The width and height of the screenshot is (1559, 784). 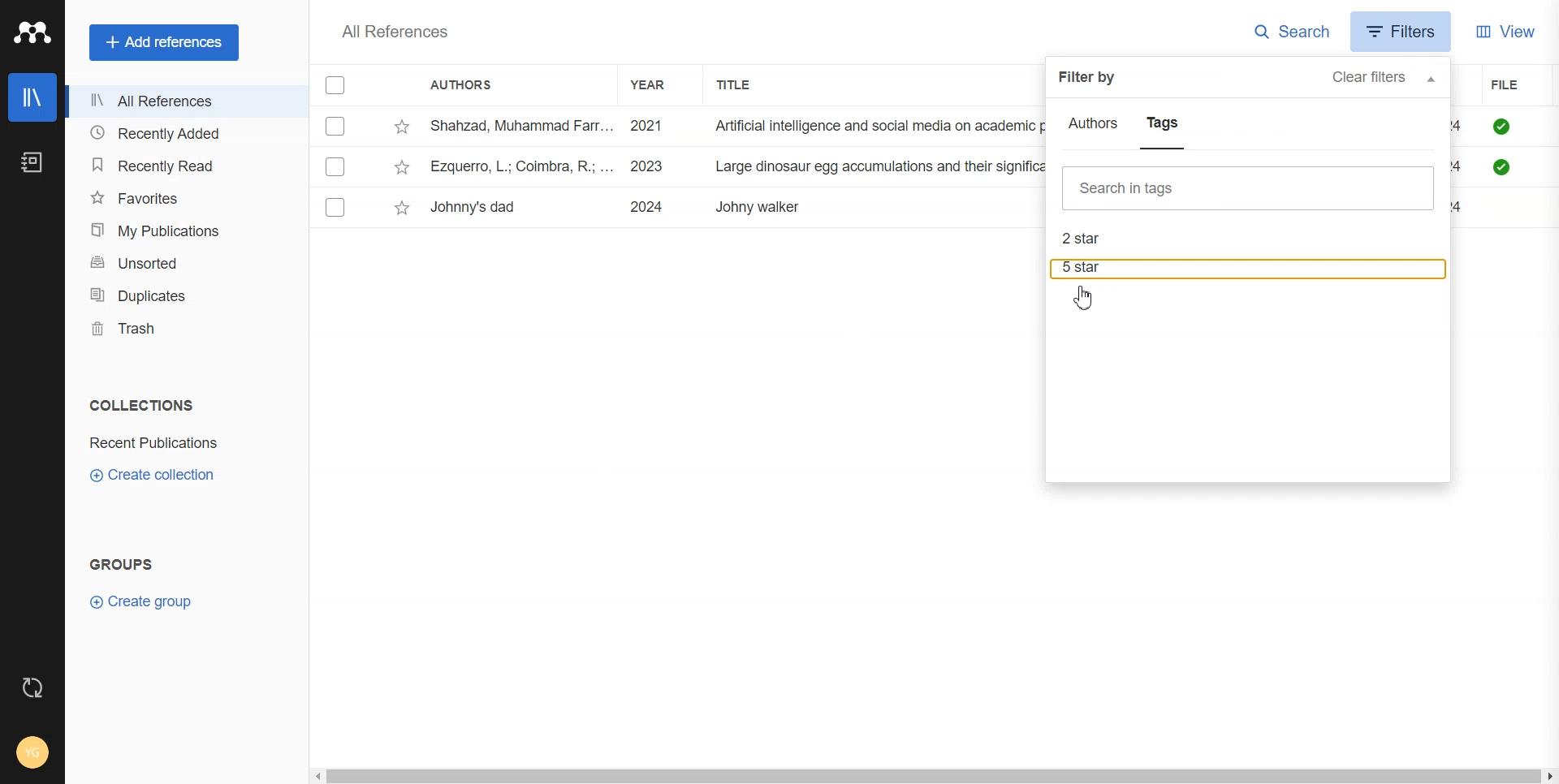 I want to click on Johnny's dad 2024 Johny walker 12/18/2024, so click(x=626, y=208).